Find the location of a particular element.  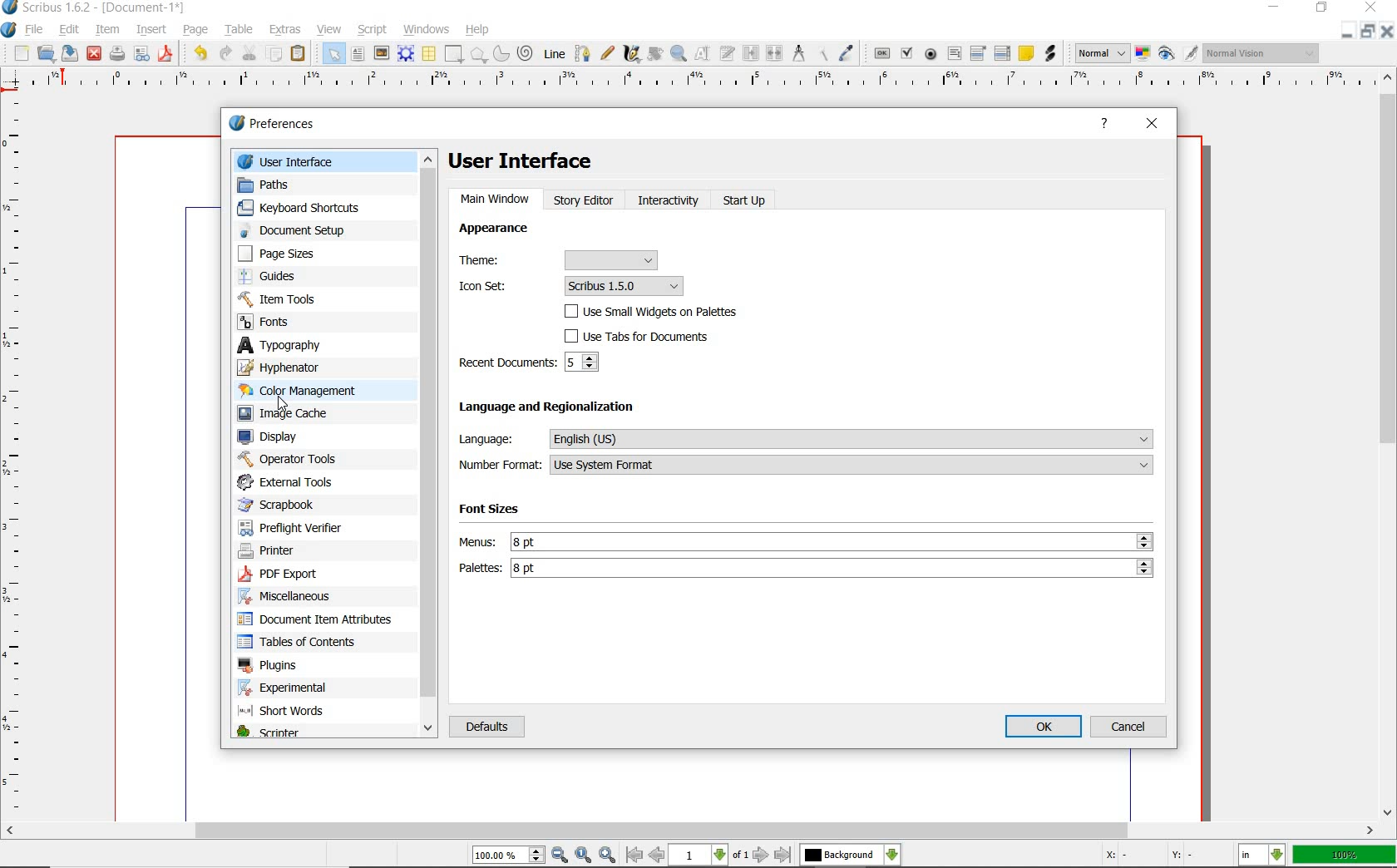

edit is located at coordinates (71, 29).